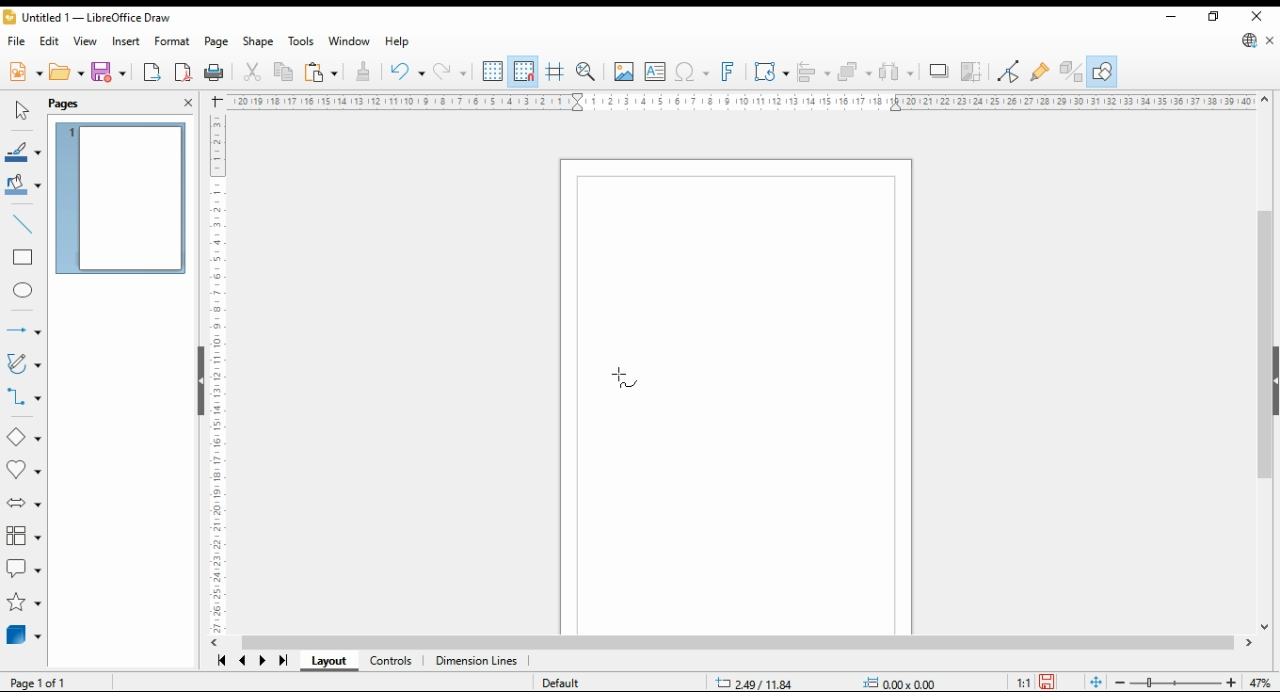 The height and width of the screenshot is (692, 1280). Describe the element at coordinates (66, 73) in the screenshot. I see `open ` at that location.